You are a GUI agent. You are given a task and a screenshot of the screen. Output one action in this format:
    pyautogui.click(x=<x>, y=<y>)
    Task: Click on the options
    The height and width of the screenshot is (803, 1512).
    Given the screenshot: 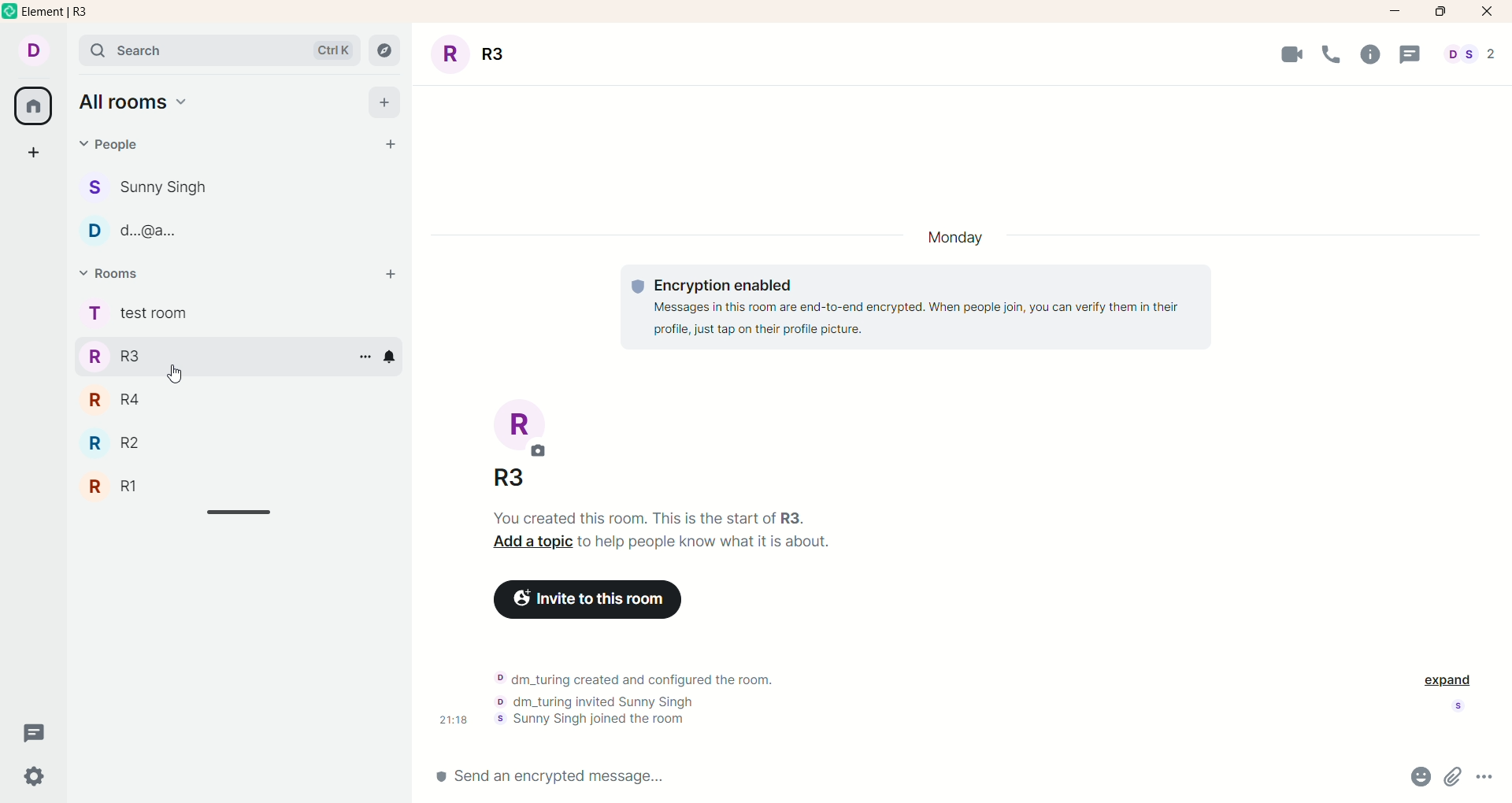 What is the action you would take?
    pyautogui.click(x=1487, y=777)
    